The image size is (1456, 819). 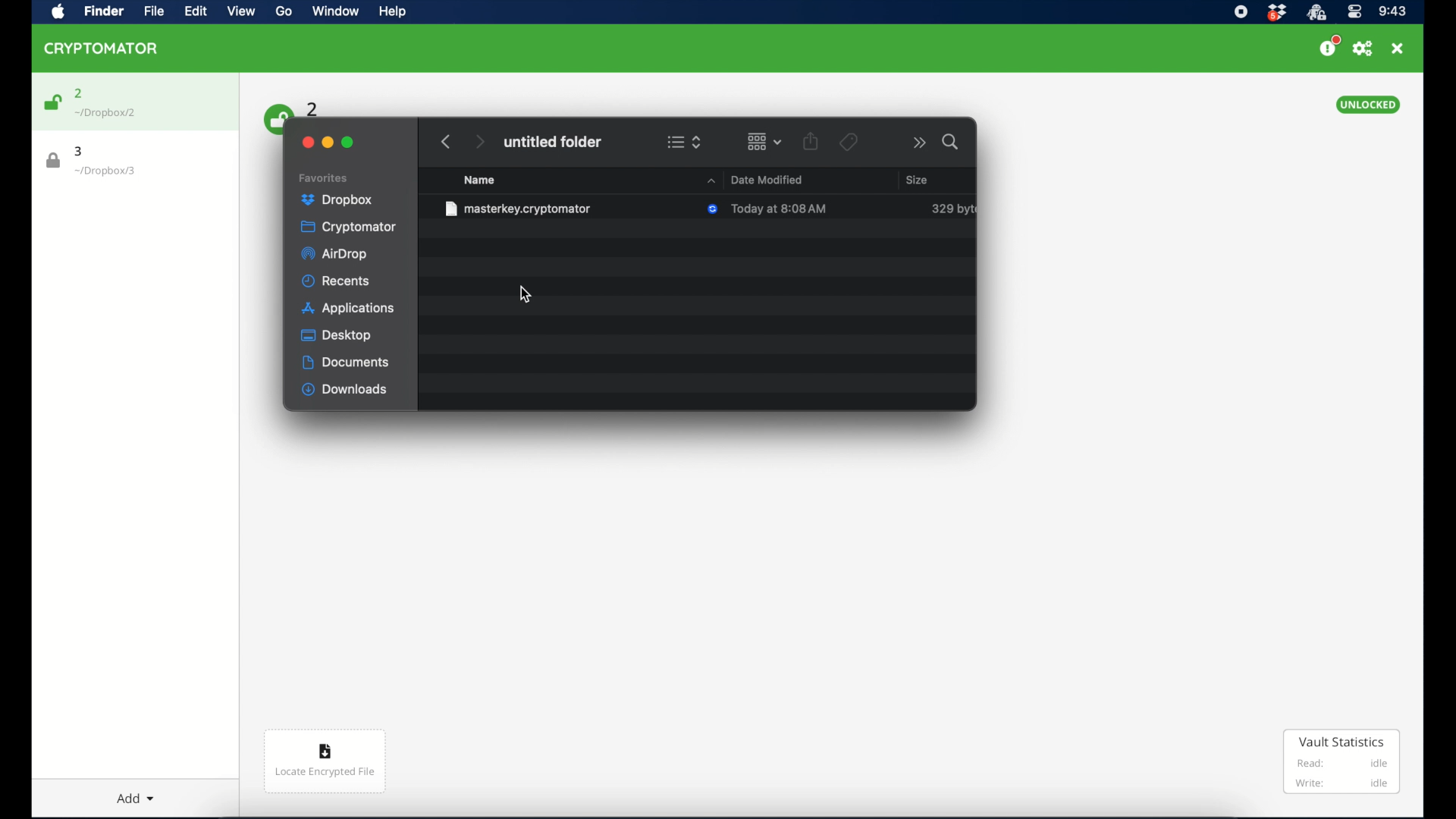 I want to click on go, so click(x=282, y=11).